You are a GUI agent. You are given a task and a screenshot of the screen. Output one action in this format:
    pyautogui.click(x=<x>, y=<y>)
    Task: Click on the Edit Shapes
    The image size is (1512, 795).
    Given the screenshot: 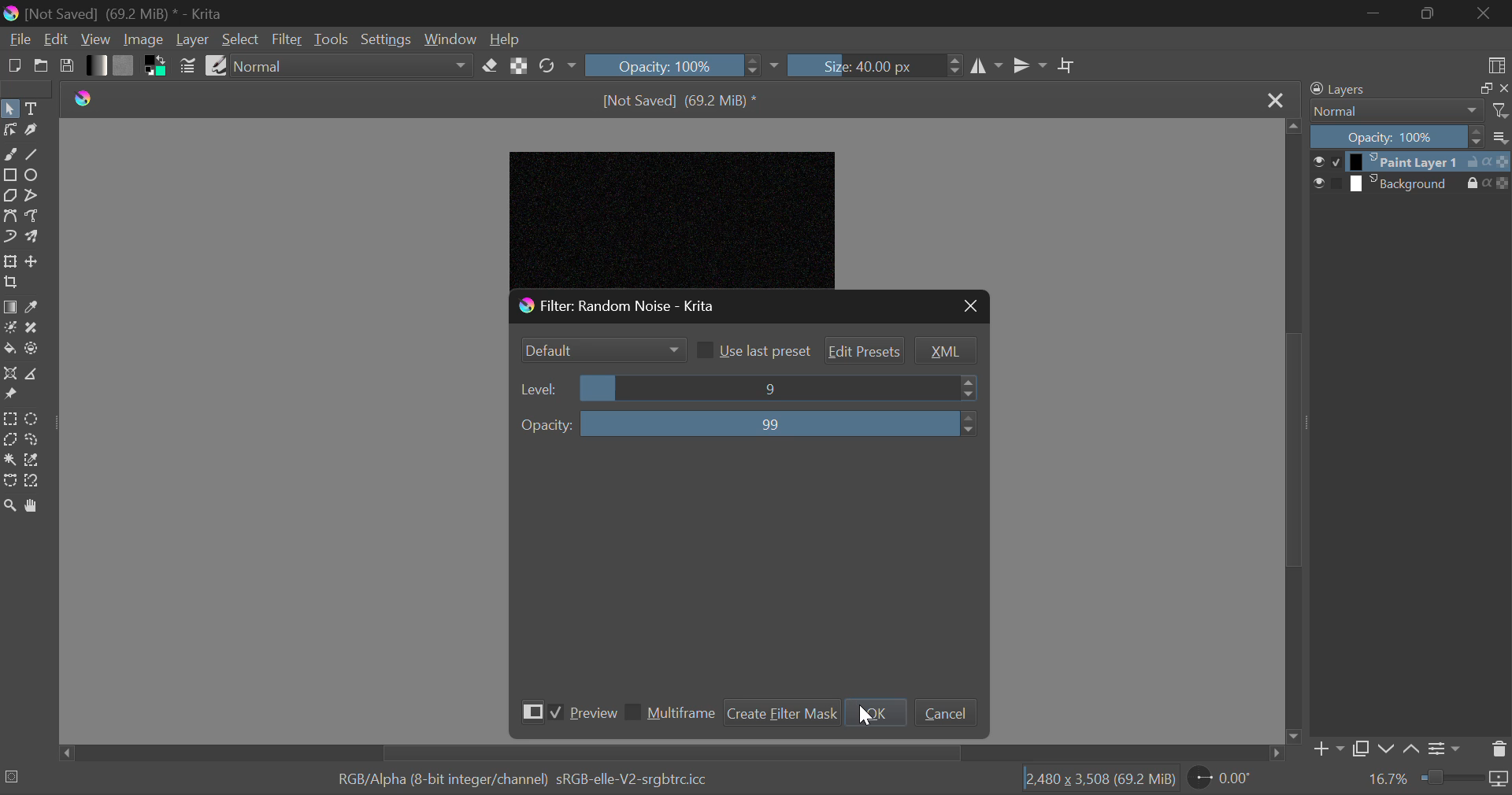 What is the action you would take?
    pyautogui.click(x=9, y=133)
    